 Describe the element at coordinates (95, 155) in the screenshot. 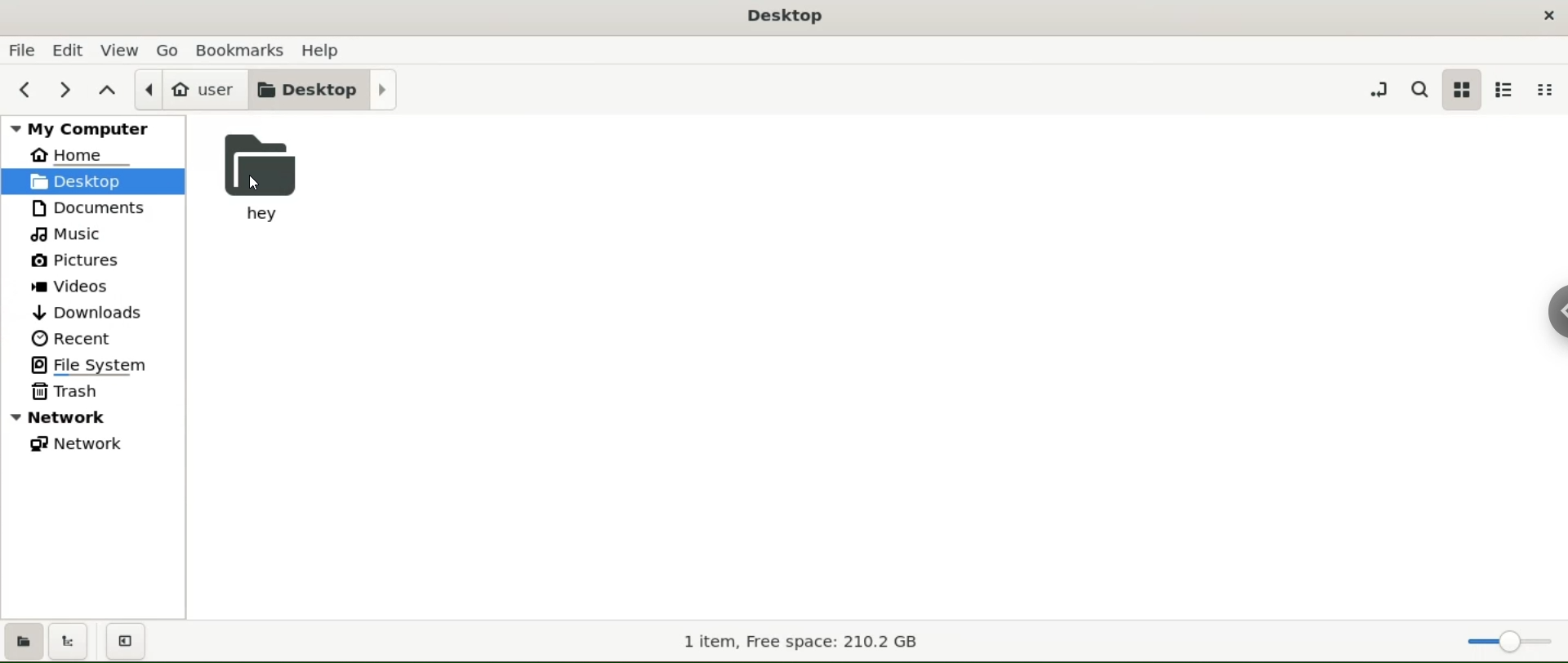

I see `home` at that location.